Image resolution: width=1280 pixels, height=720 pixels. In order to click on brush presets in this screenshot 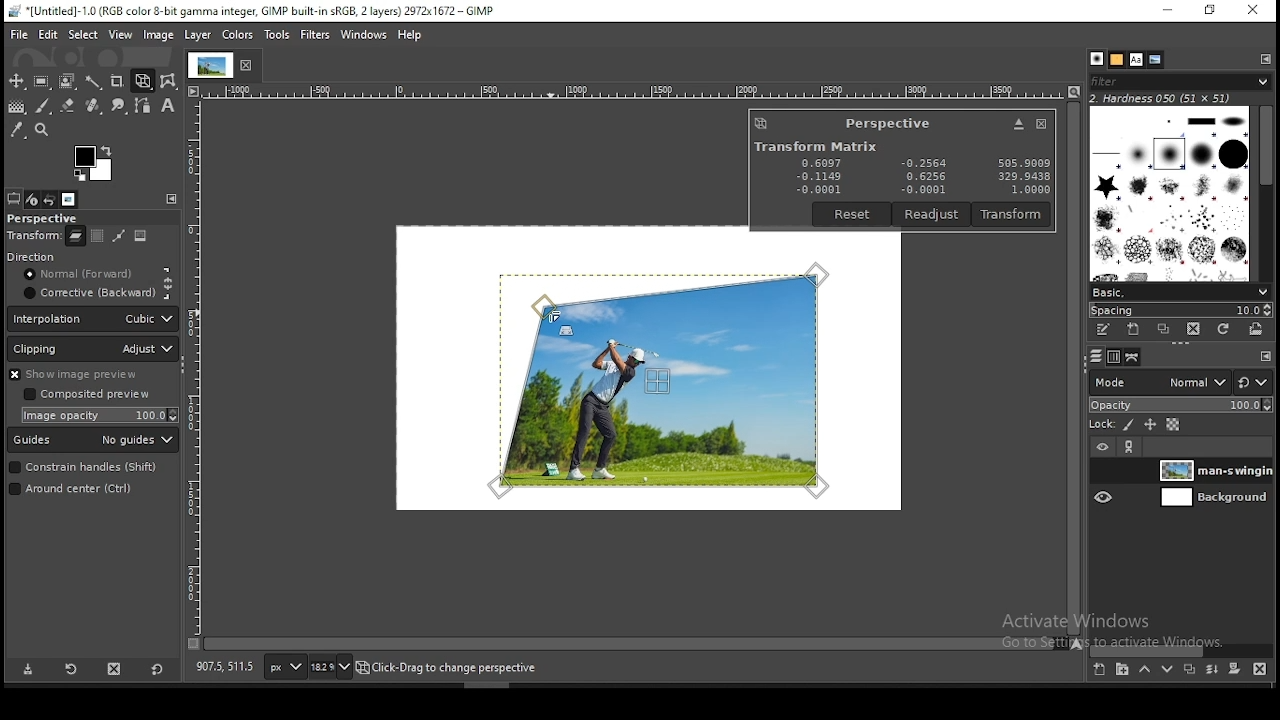, I will do `click(1180, 292)`.